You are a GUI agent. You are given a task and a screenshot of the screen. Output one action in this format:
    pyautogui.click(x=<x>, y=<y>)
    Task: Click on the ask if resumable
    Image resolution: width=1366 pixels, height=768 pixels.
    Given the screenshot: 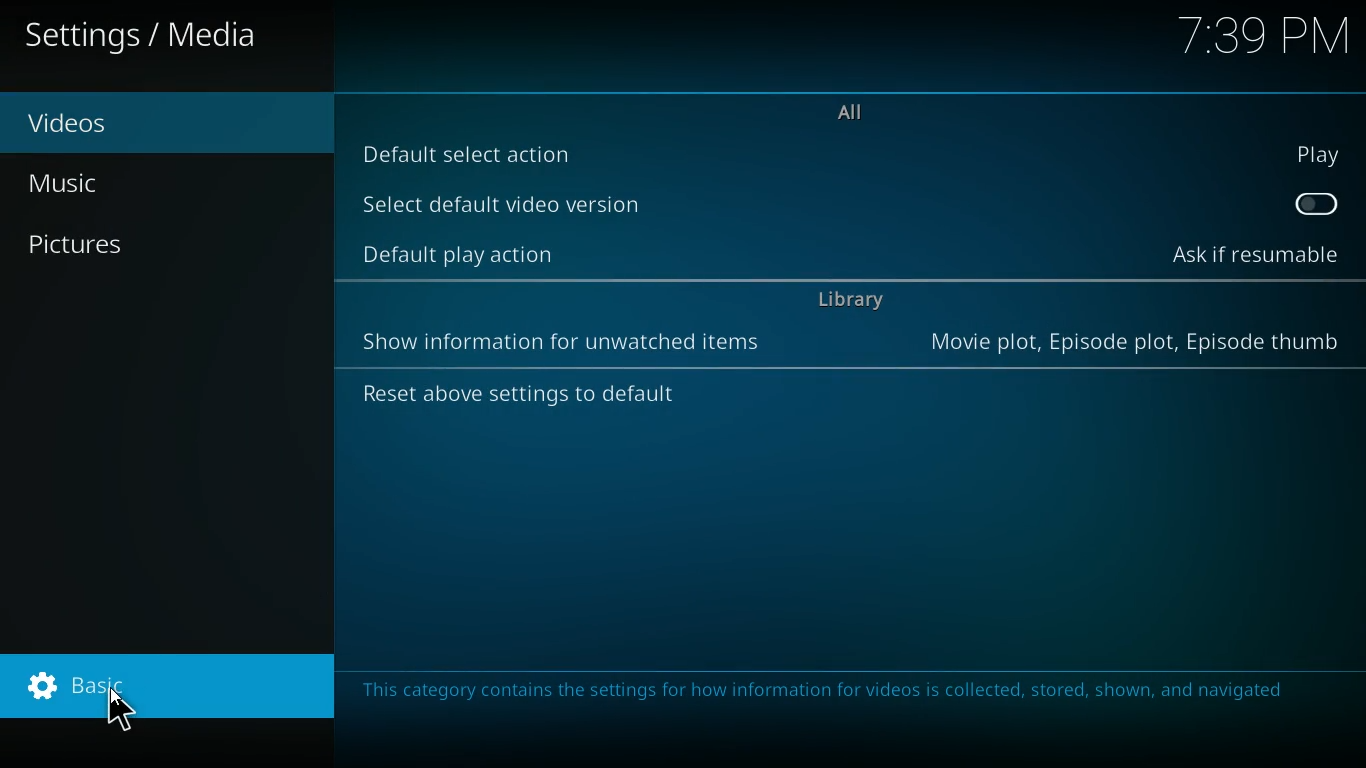 What is the action you would take?
    pyautogui.click(x=1252, y=255)
    